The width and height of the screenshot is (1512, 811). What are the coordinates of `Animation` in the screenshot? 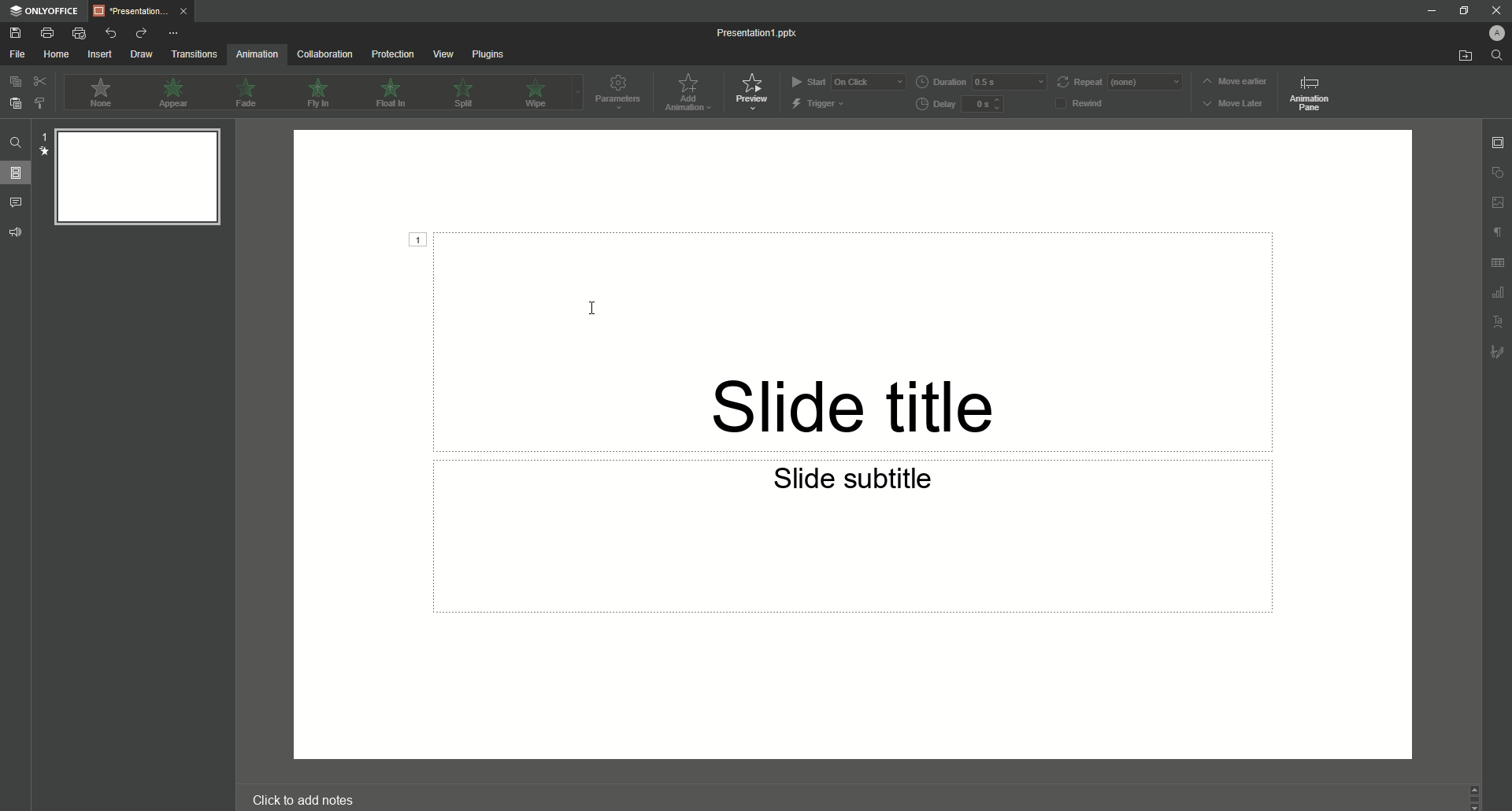 It's located at (258, 55).